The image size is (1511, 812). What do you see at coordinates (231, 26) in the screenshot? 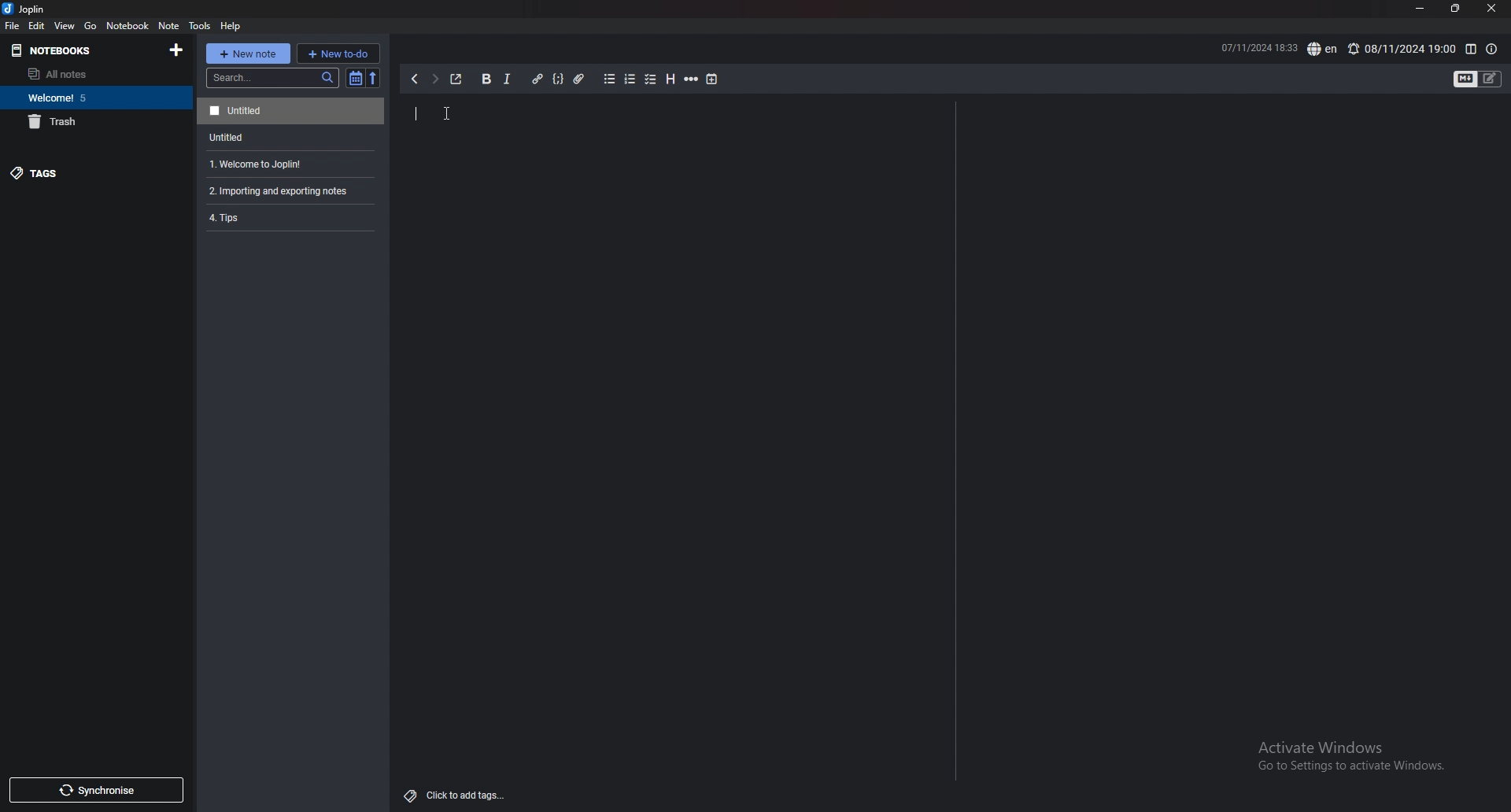
I see `help` at bounding box center [231, 26].